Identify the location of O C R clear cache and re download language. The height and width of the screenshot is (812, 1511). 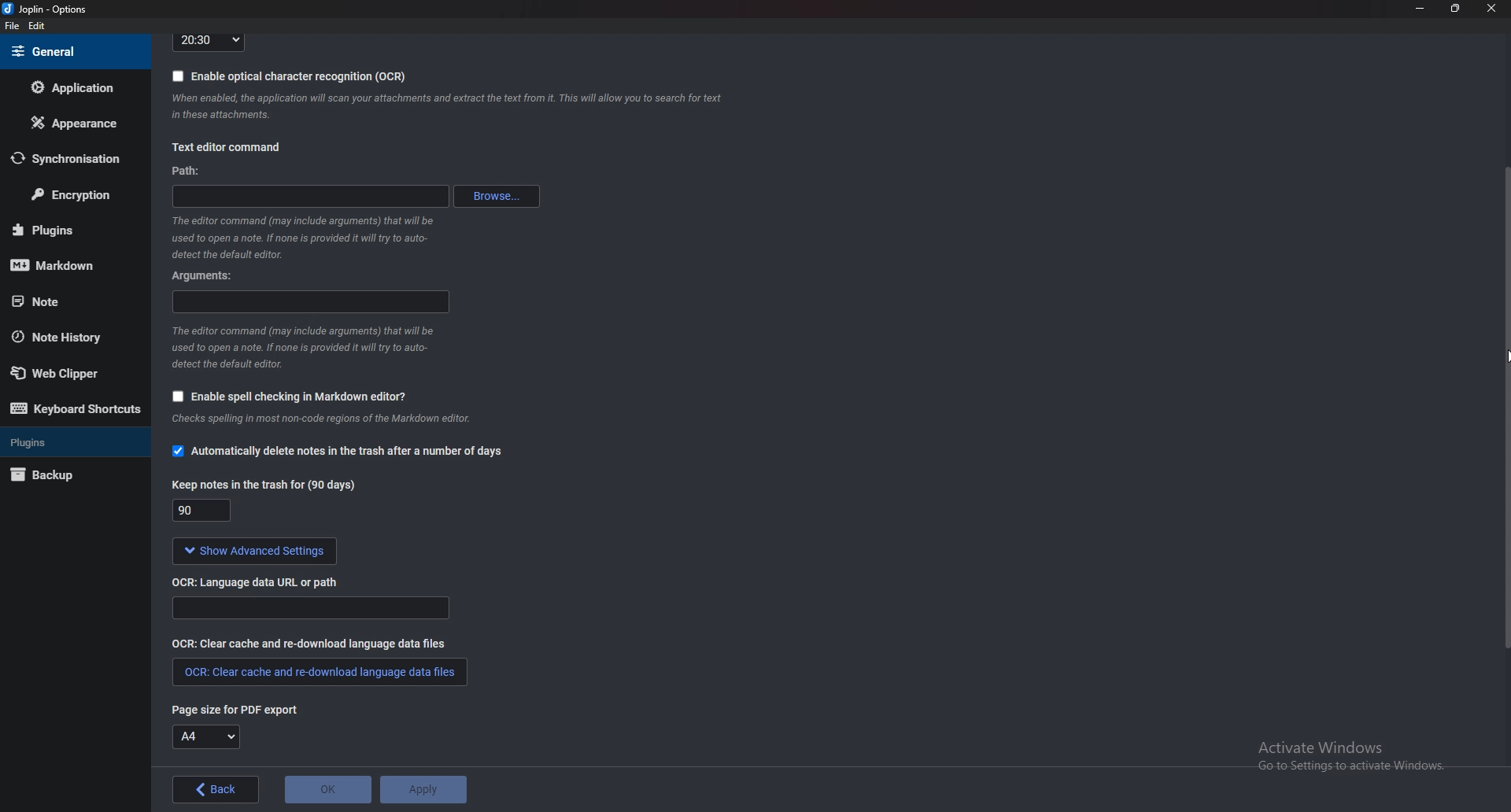
(312, 643).